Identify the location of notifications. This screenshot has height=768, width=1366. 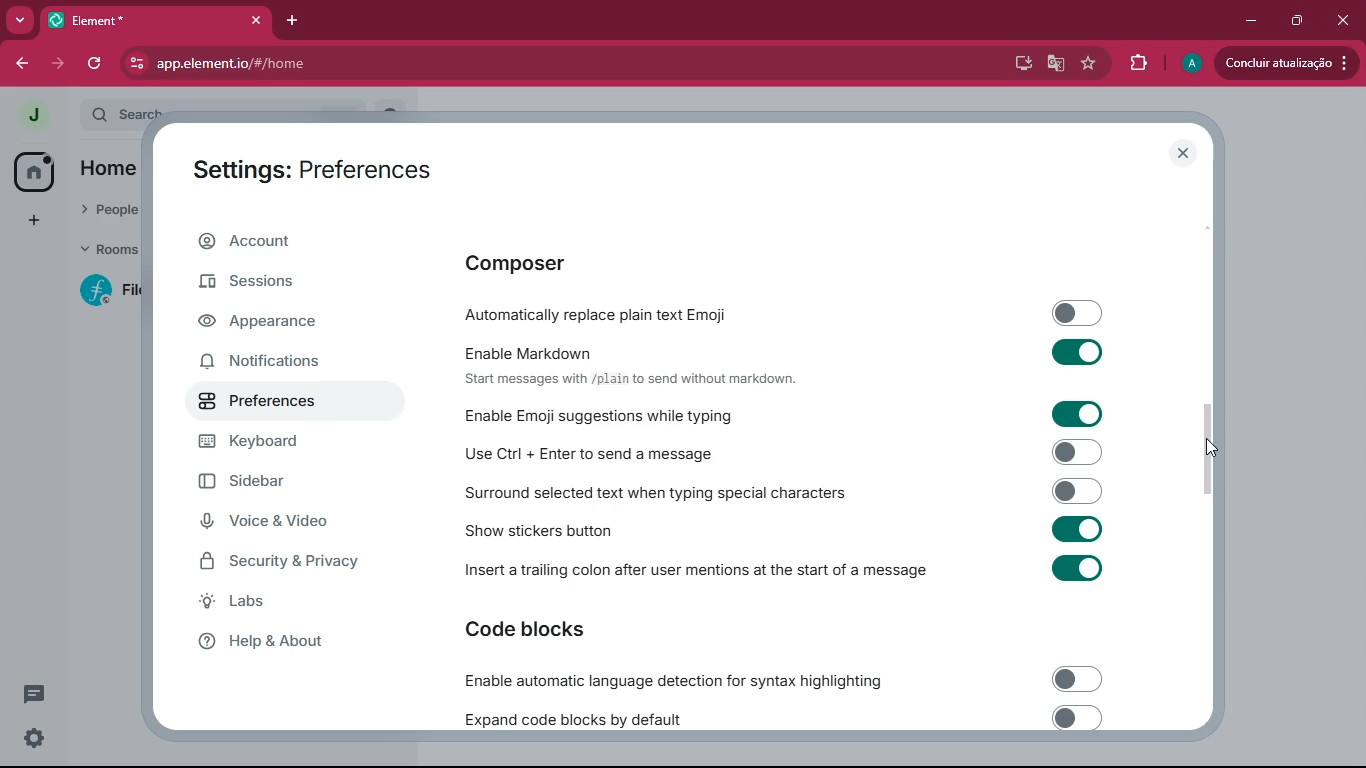
(271, 364).